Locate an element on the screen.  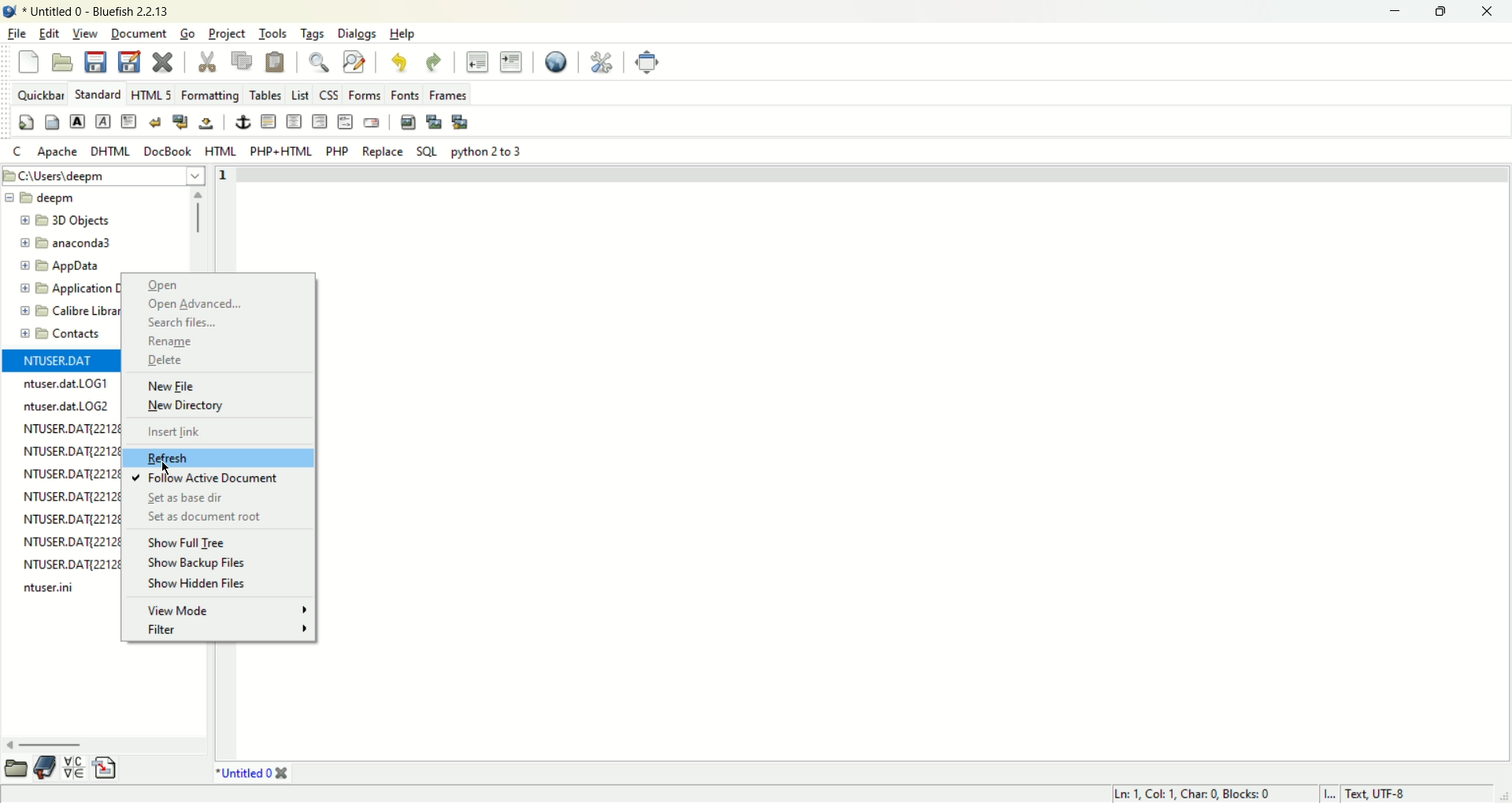
ntuser.dat.LOG2 is located at coordinates (67, 405).